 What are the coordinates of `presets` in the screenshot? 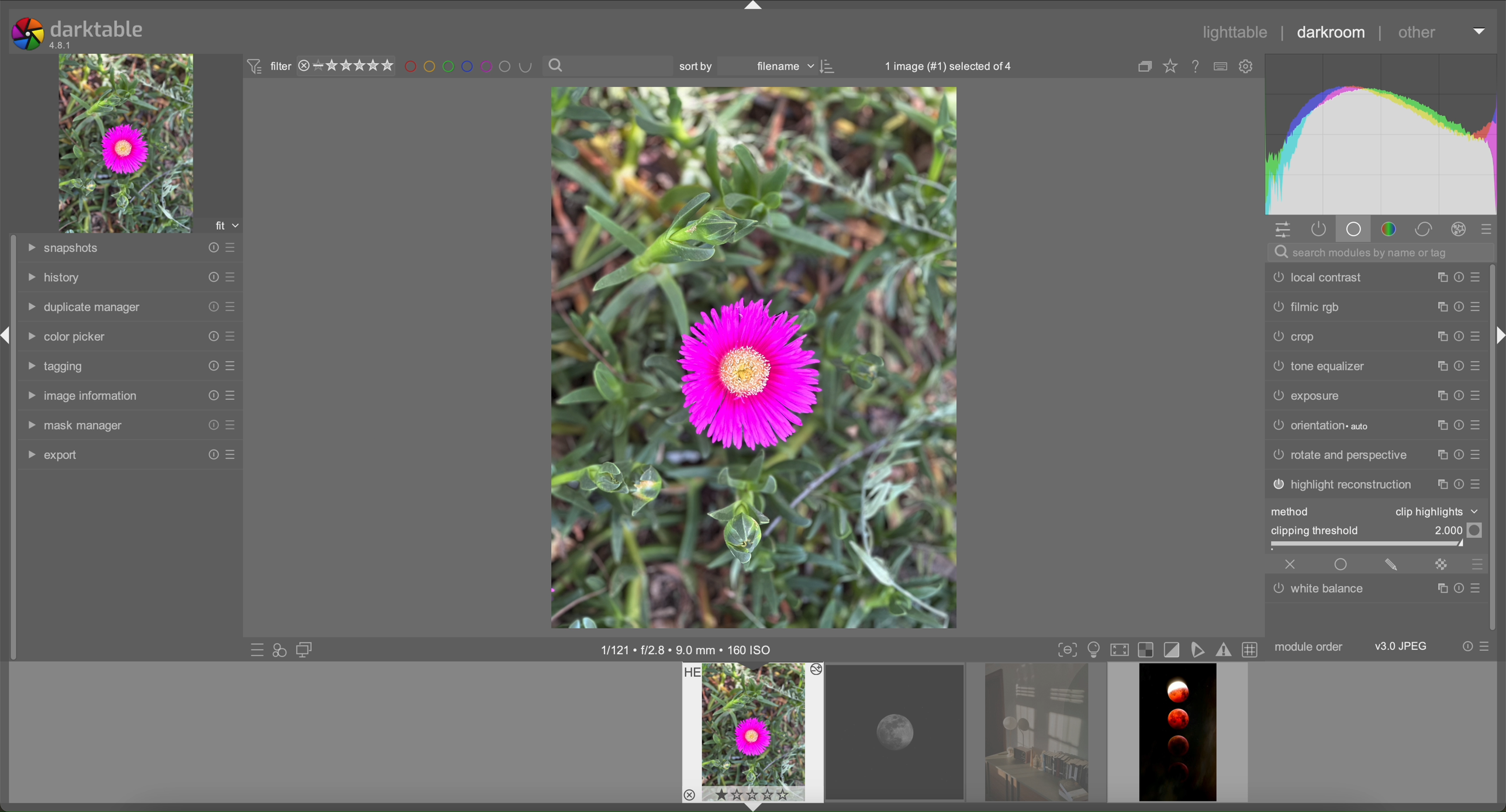 It's located at (230, 455).